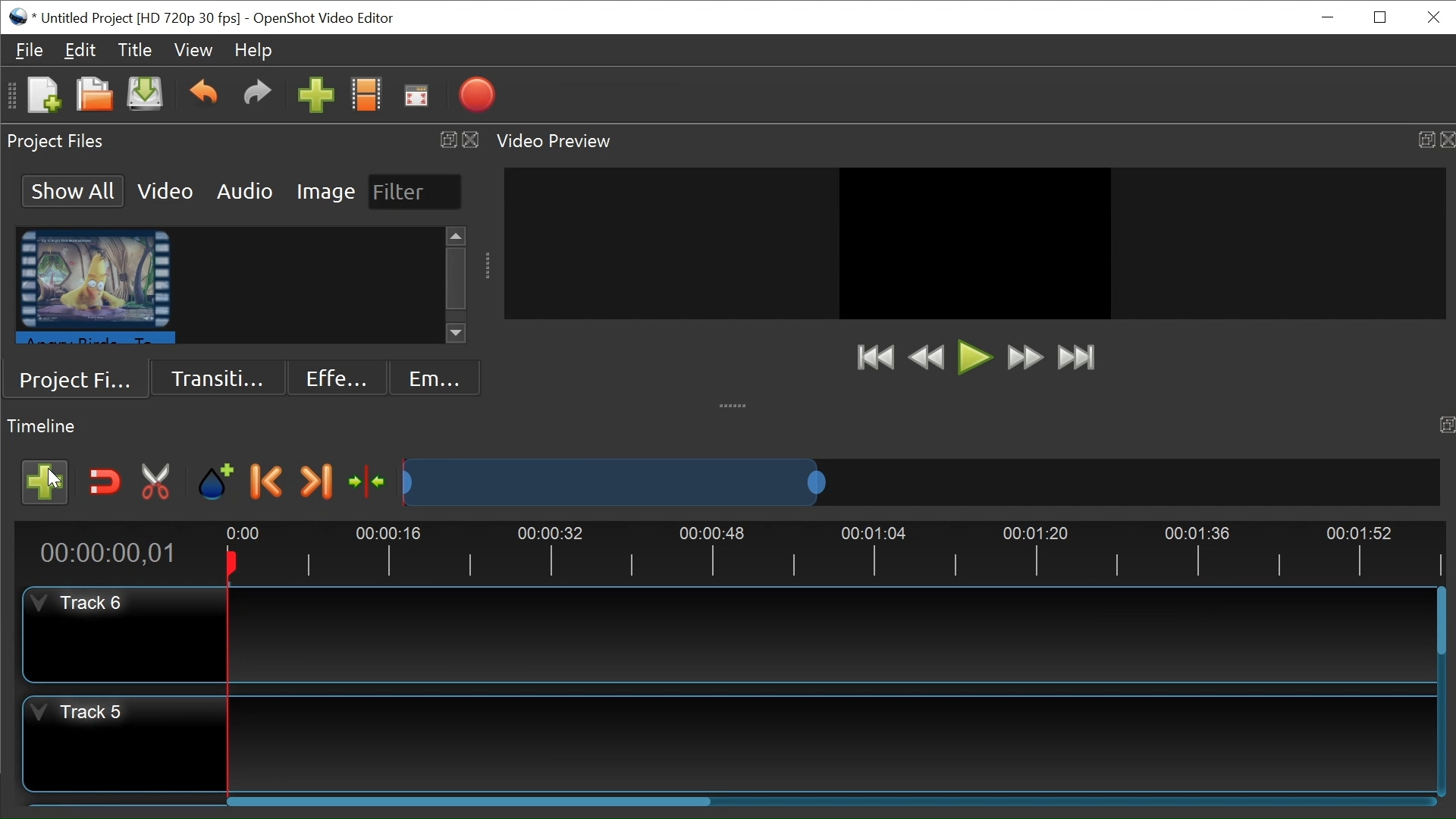  I want to click on Vertical Scrollbar, so click(1443, 628).